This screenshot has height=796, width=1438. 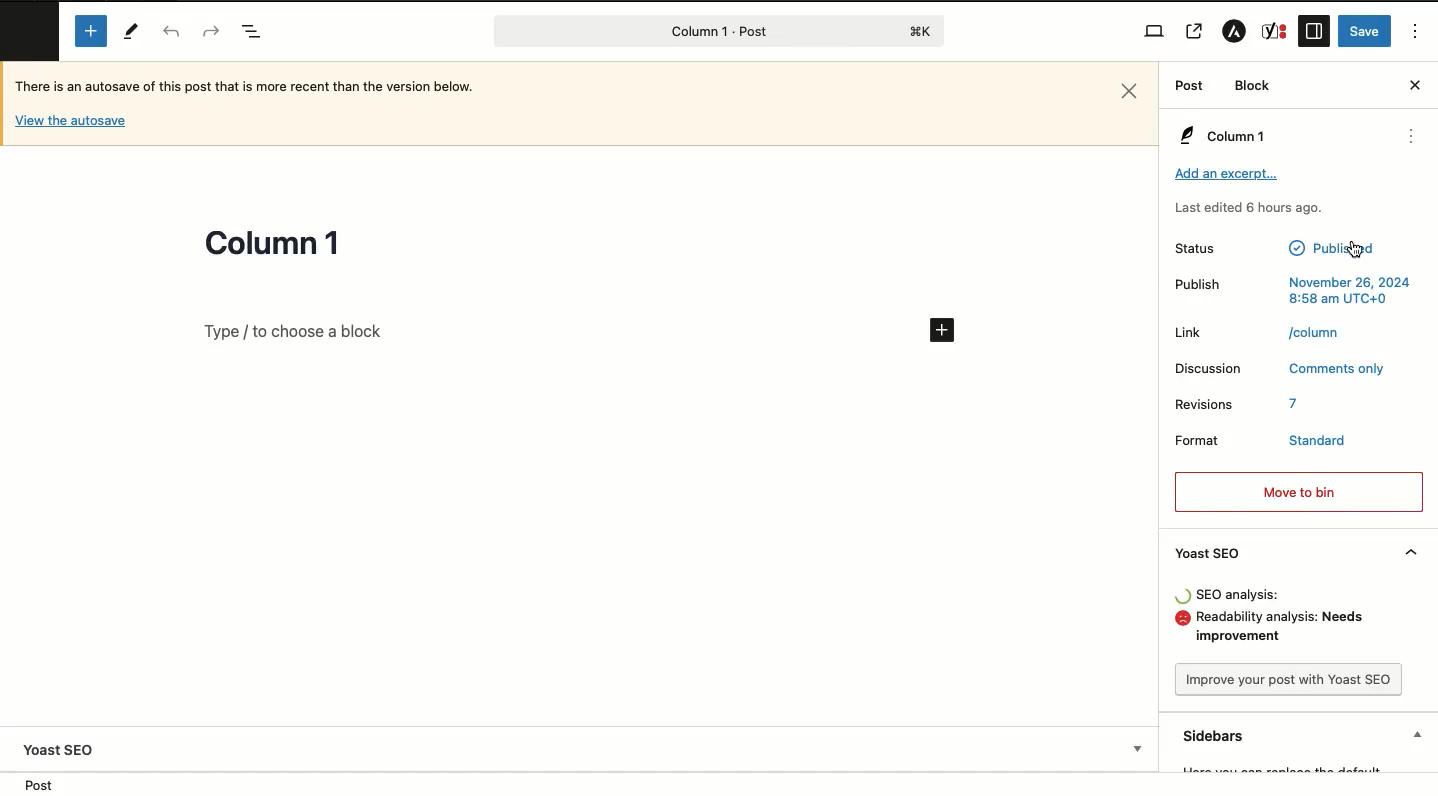 What do you see at coordinates (1414, 138) in the screenshot?
I see `more` at bounding box center [1414, 138].